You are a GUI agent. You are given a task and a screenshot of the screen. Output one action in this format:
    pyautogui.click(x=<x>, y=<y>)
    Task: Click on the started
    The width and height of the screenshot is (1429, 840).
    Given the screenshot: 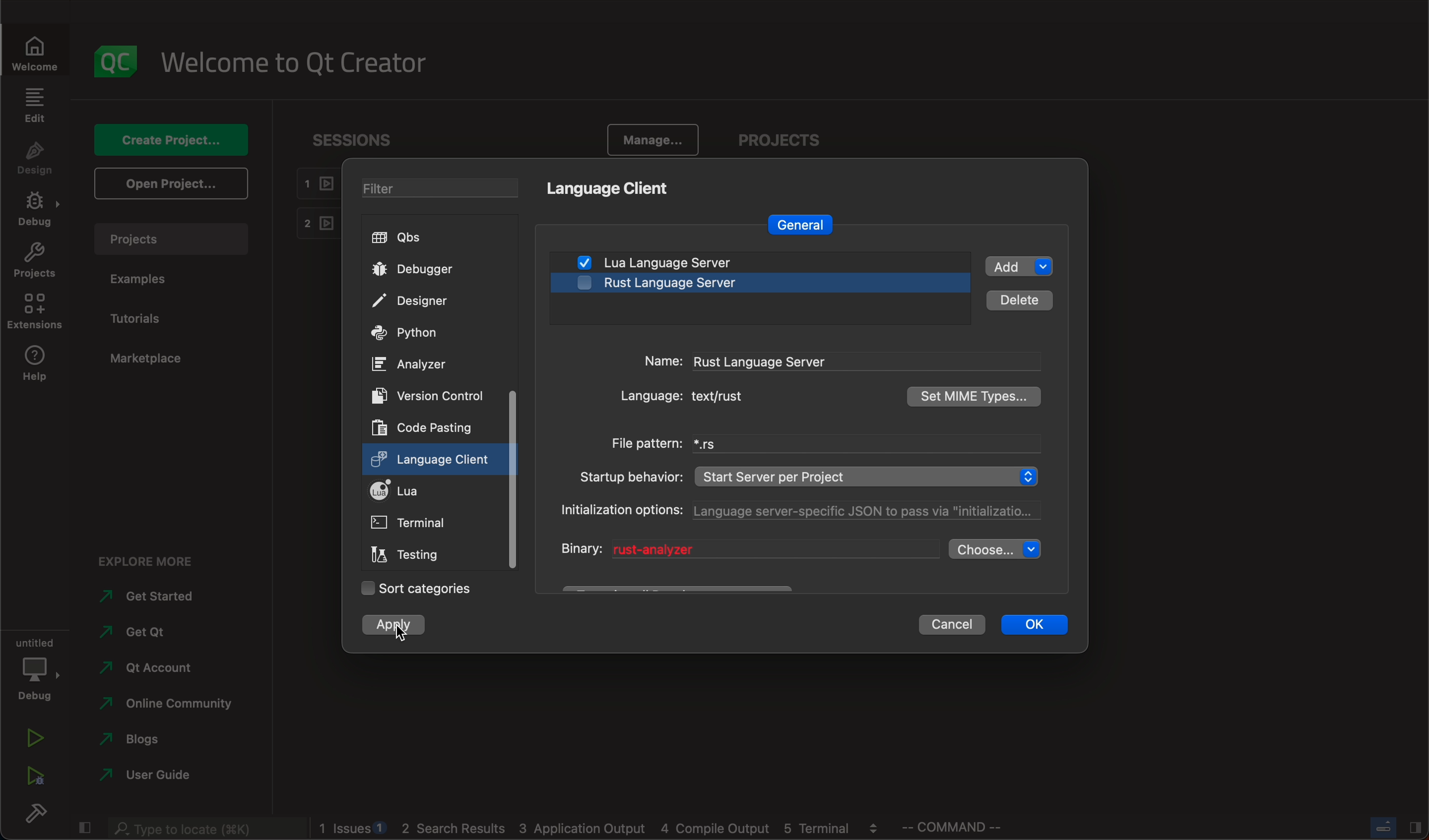 What is the action you would take?
    pyautogui.click(x=147, y=600)
    